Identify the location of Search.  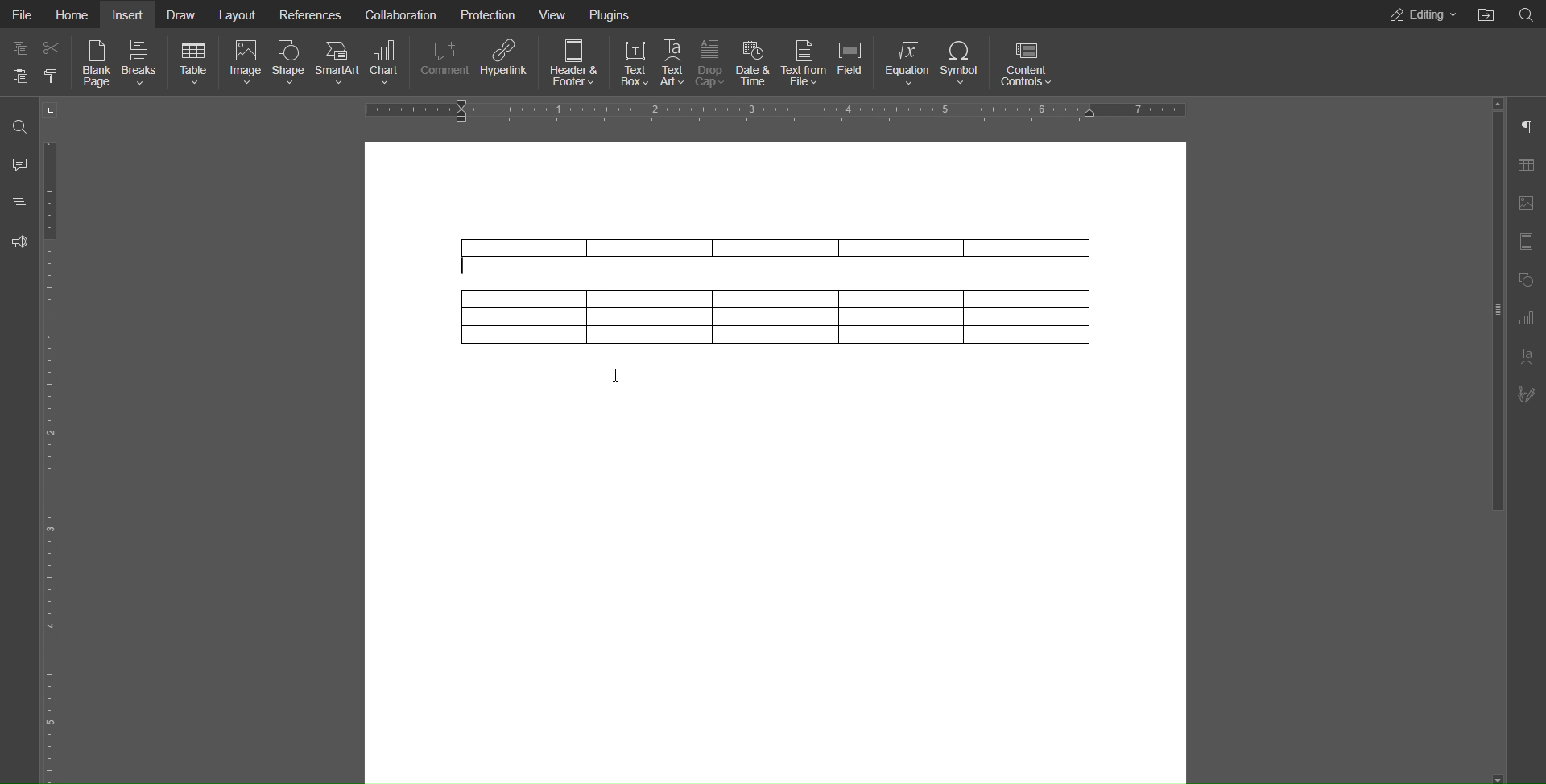
(1525, 14).